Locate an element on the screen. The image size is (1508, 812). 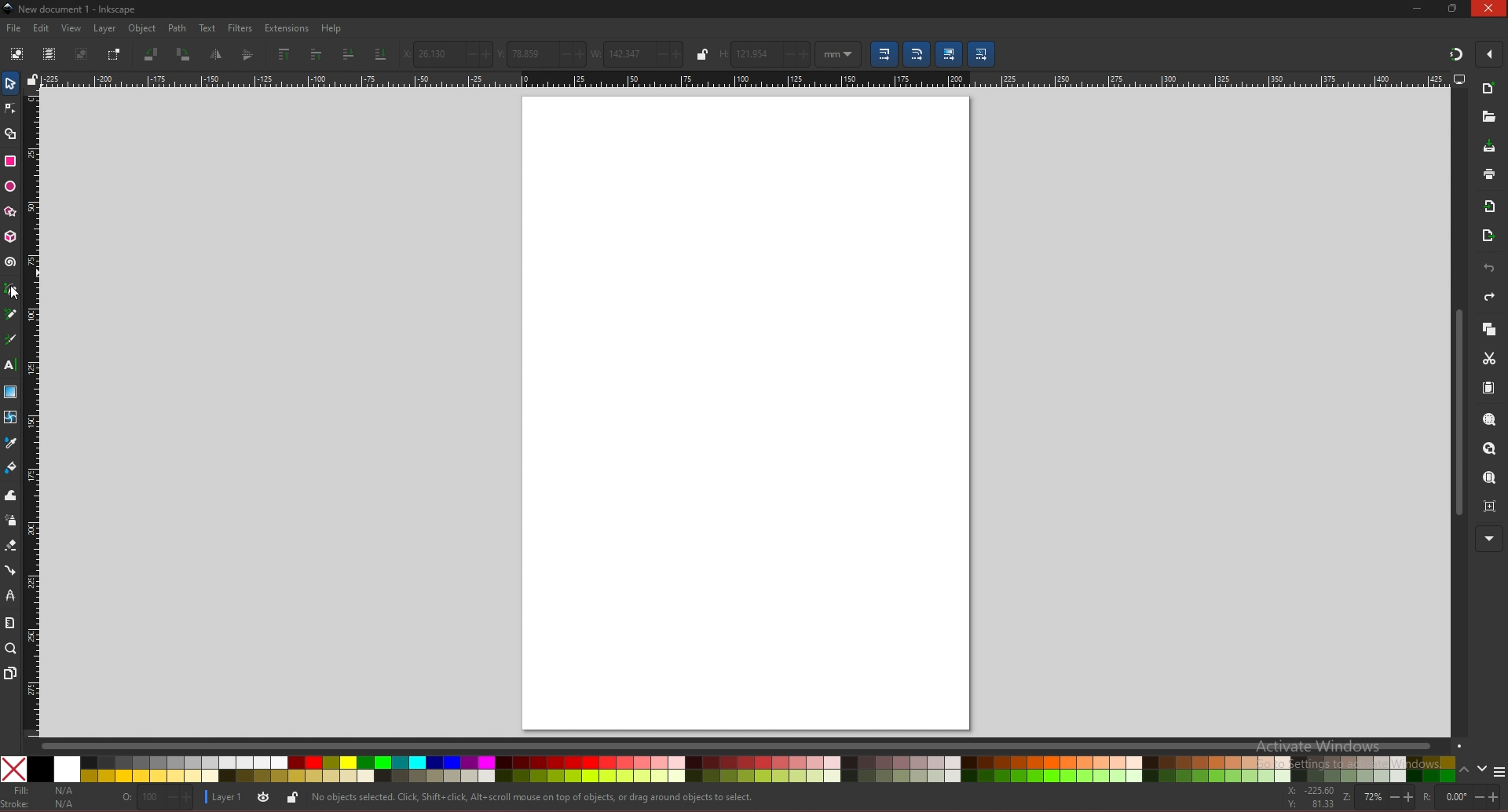
zoom centre page is located at coordinates (1492, 505).